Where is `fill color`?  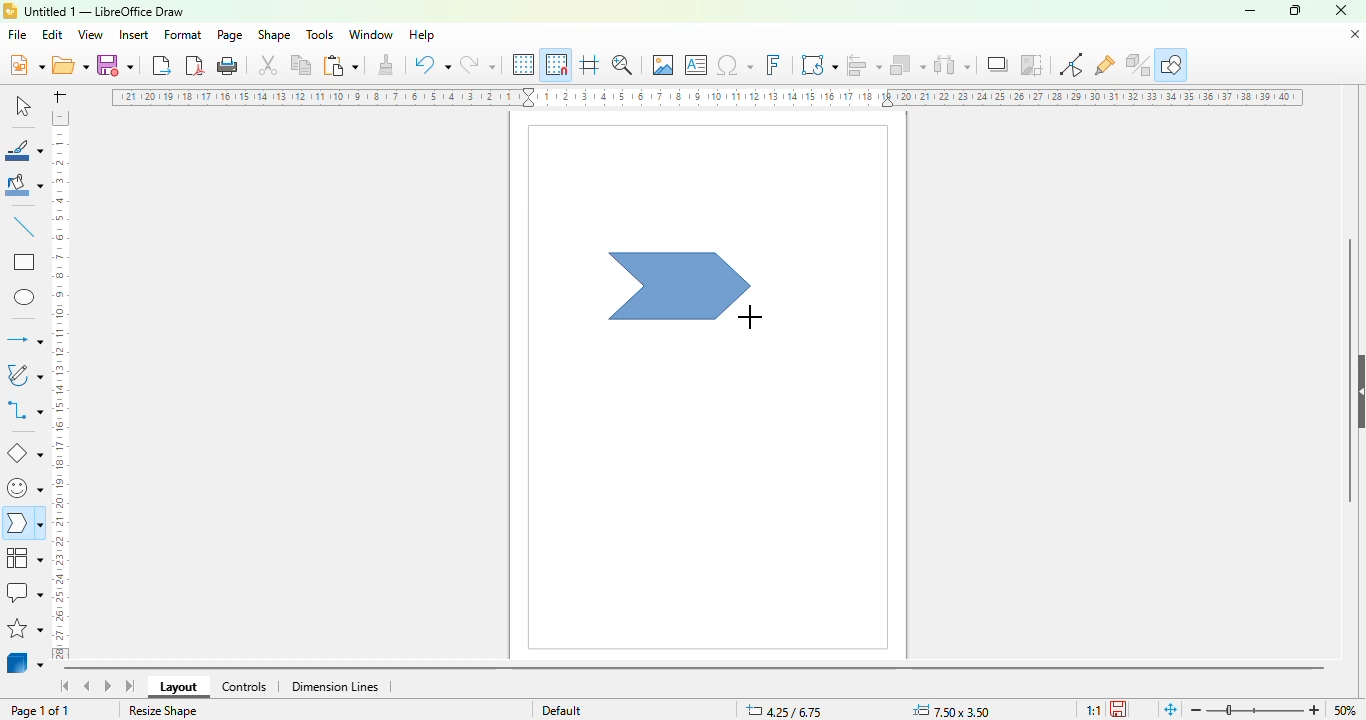
fill color is located at coordinates (25, 185).